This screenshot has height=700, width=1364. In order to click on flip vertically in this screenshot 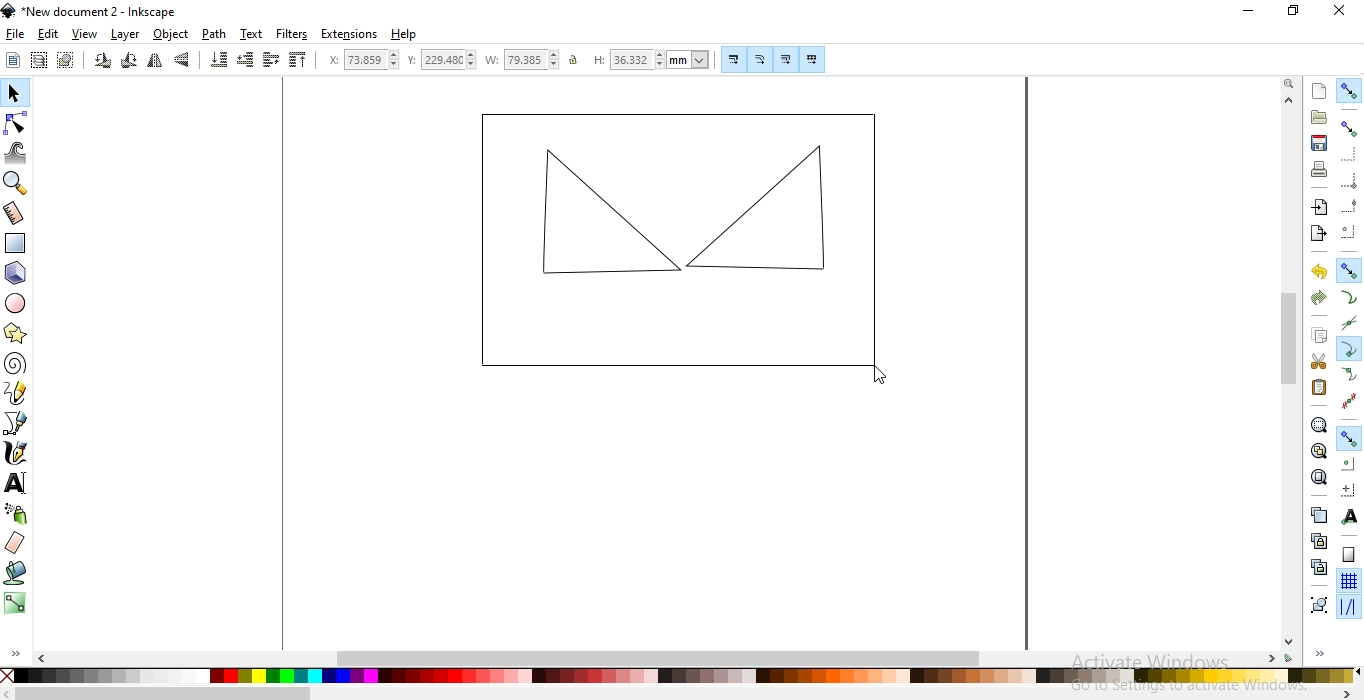, I will do `click(183, 61)`.